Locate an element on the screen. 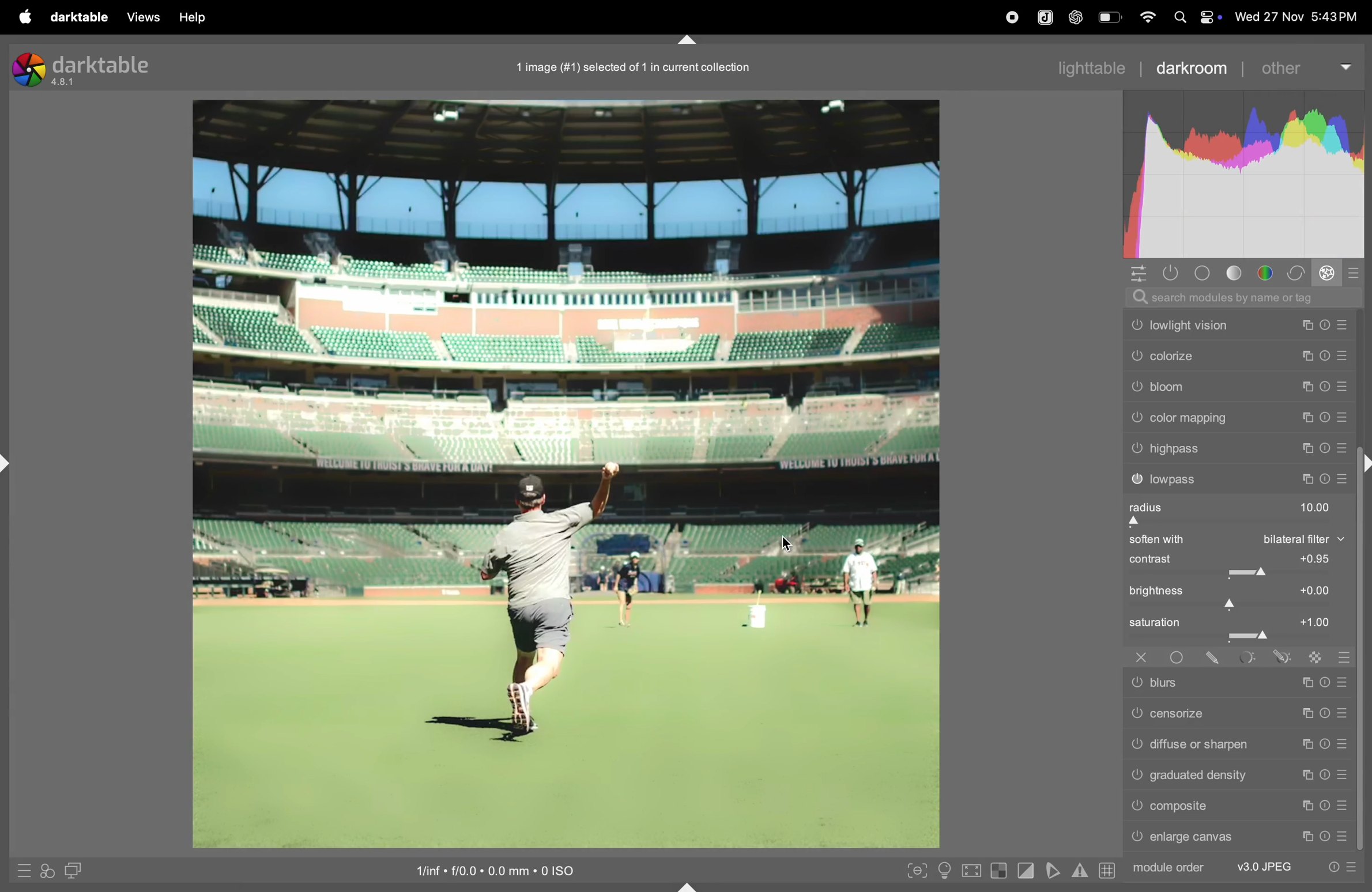 The height and width of the screenshot is (892, 1372). colors is located at coordinates (1267, 273).